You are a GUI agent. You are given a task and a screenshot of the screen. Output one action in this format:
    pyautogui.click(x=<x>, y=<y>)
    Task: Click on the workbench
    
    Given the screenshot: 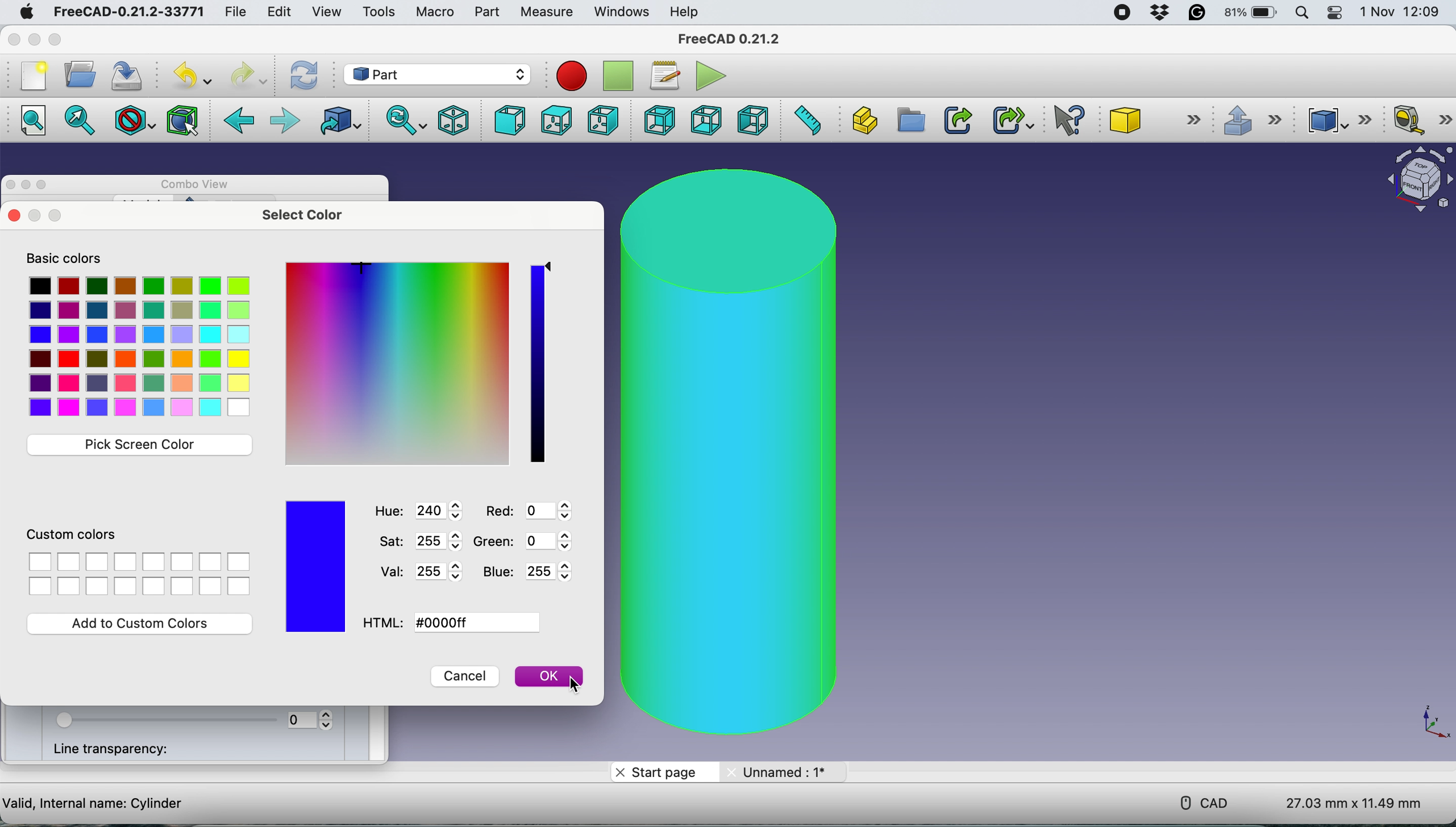 What is the action you would take?
    pyautogui.click(x=440, y=74)
    